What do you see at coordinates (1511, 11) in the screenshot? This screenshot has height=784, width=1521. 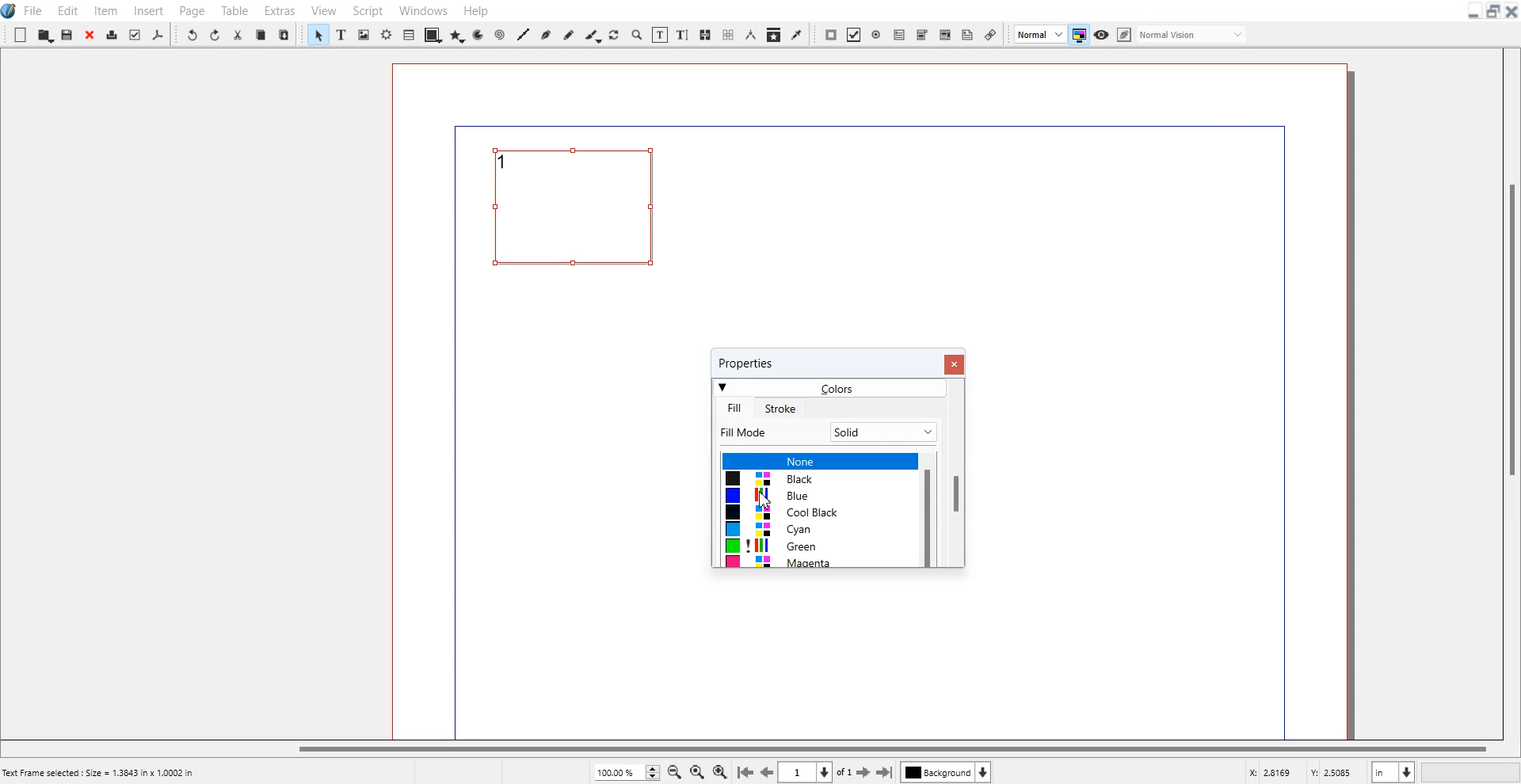 I see `Close` at bounding box center [1511, 11].